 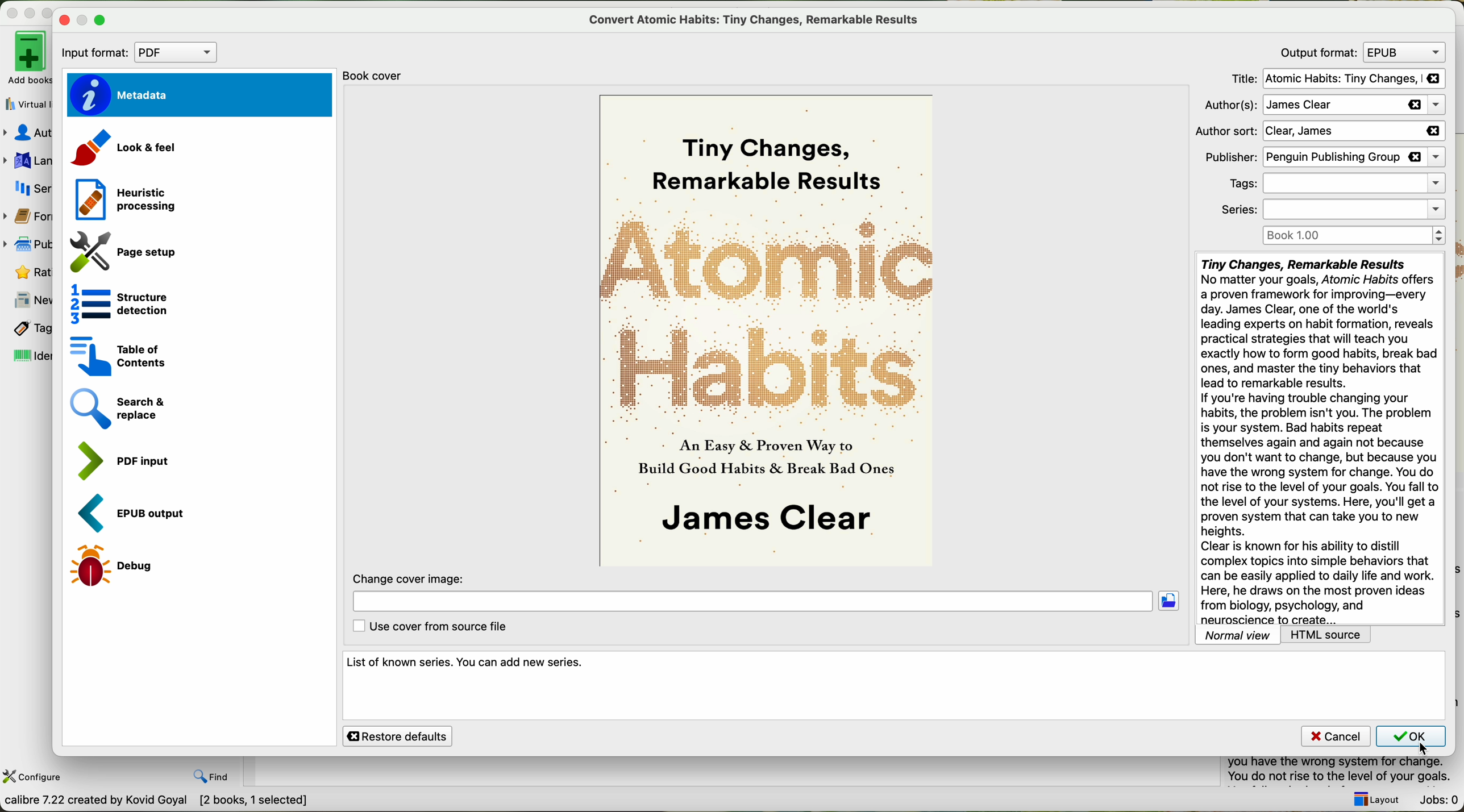 I want to click on maximize, so click(x=102, y=22).